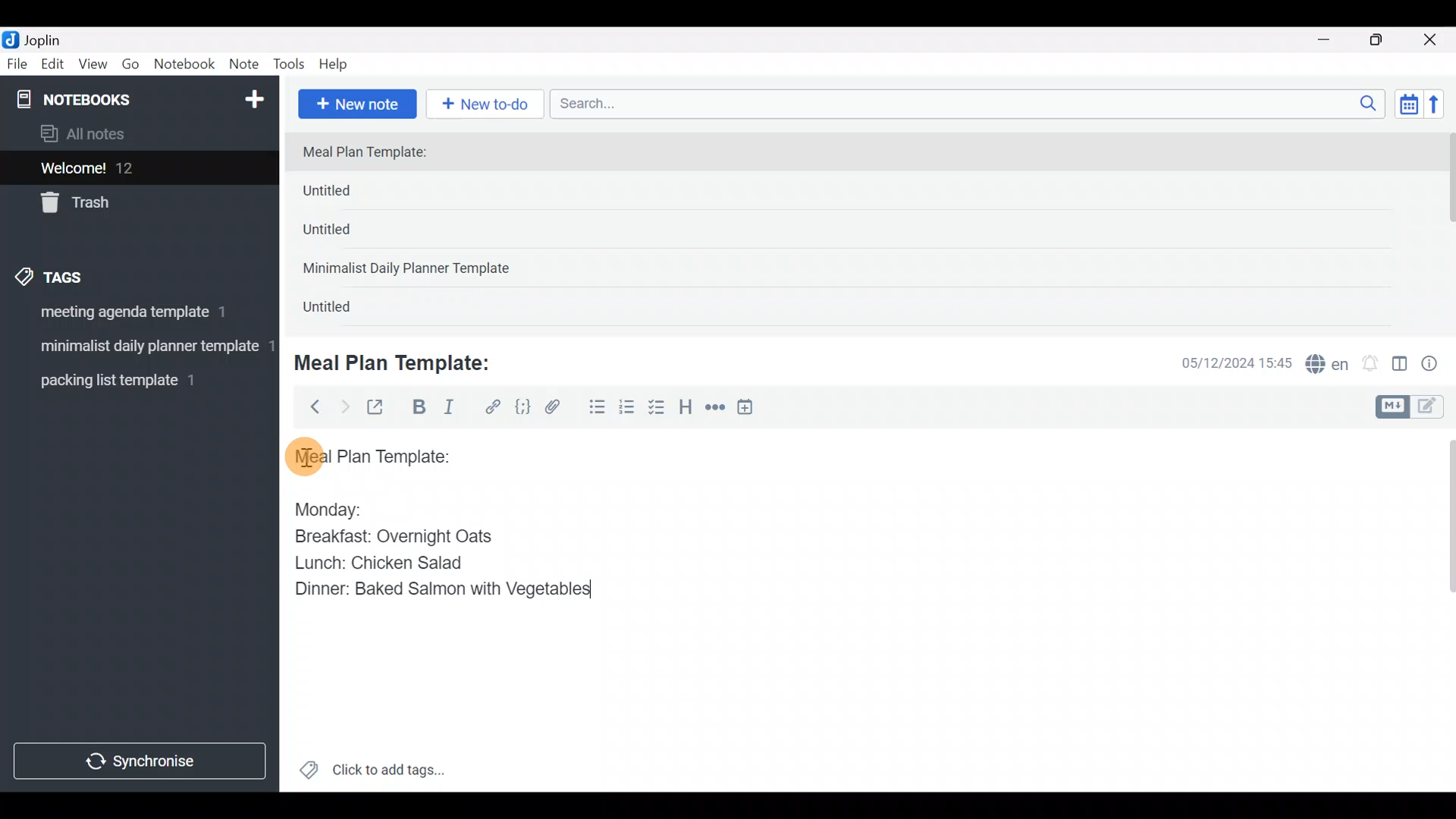  What do you see at coordinates (971, 102) in the screenshot?
I see `Search bar` at bounding box center [971, 102].